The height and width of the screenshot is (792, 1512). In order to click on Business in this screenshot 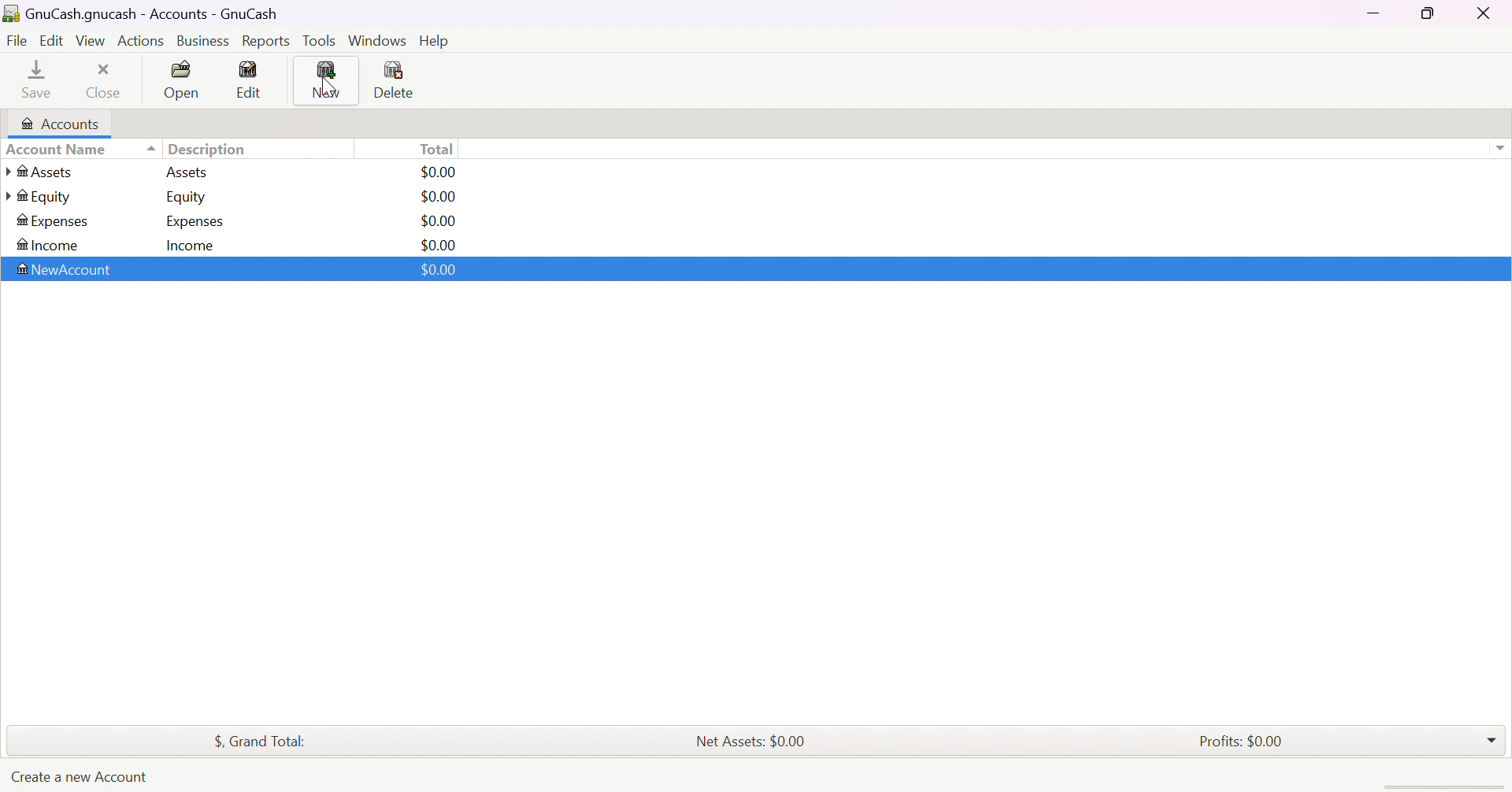, I will do `click(206, 41)`.